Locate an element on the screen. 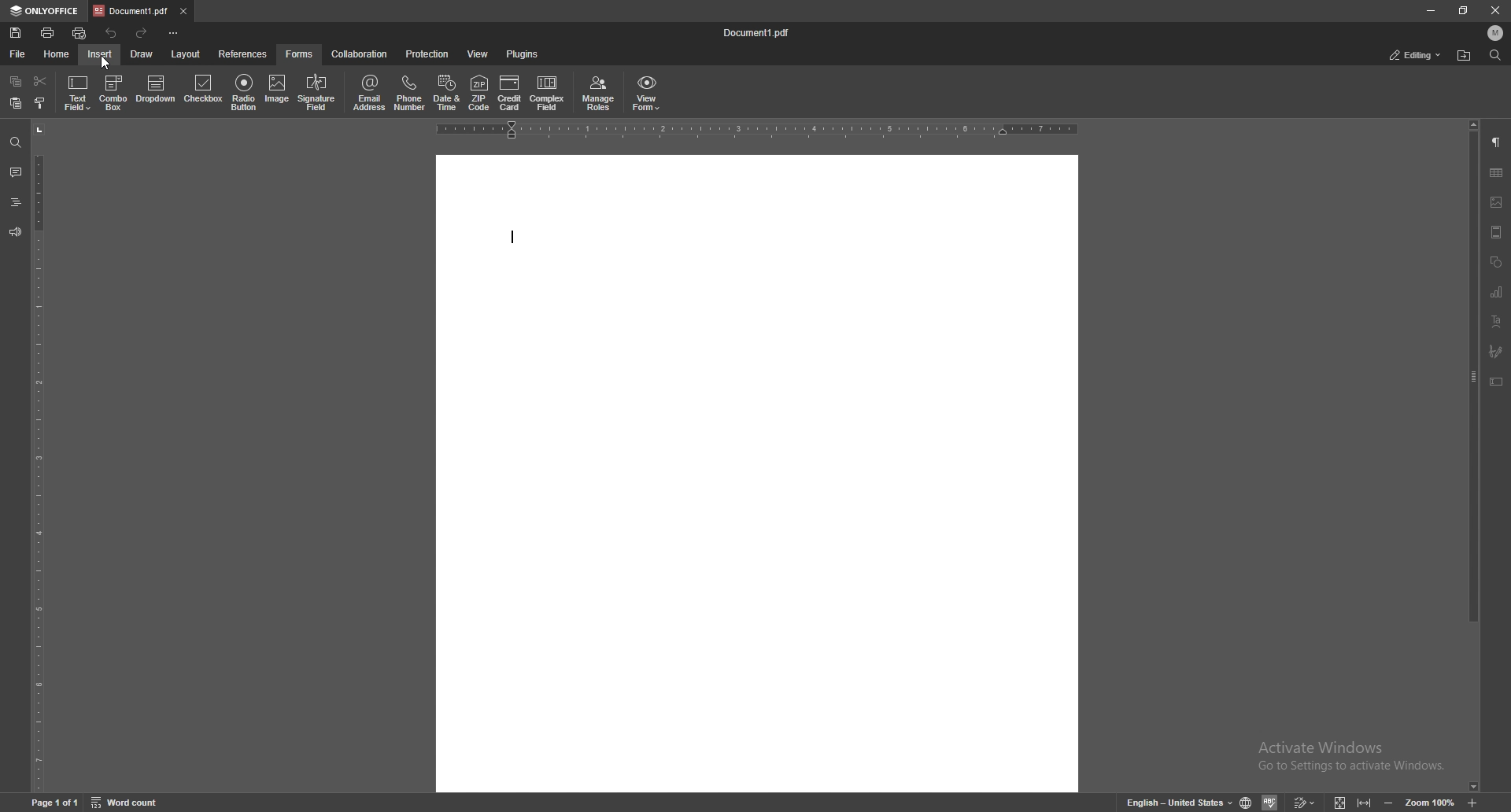 This screenshot has height=812, width=1511. phone number is located at coordinates (411, 94).